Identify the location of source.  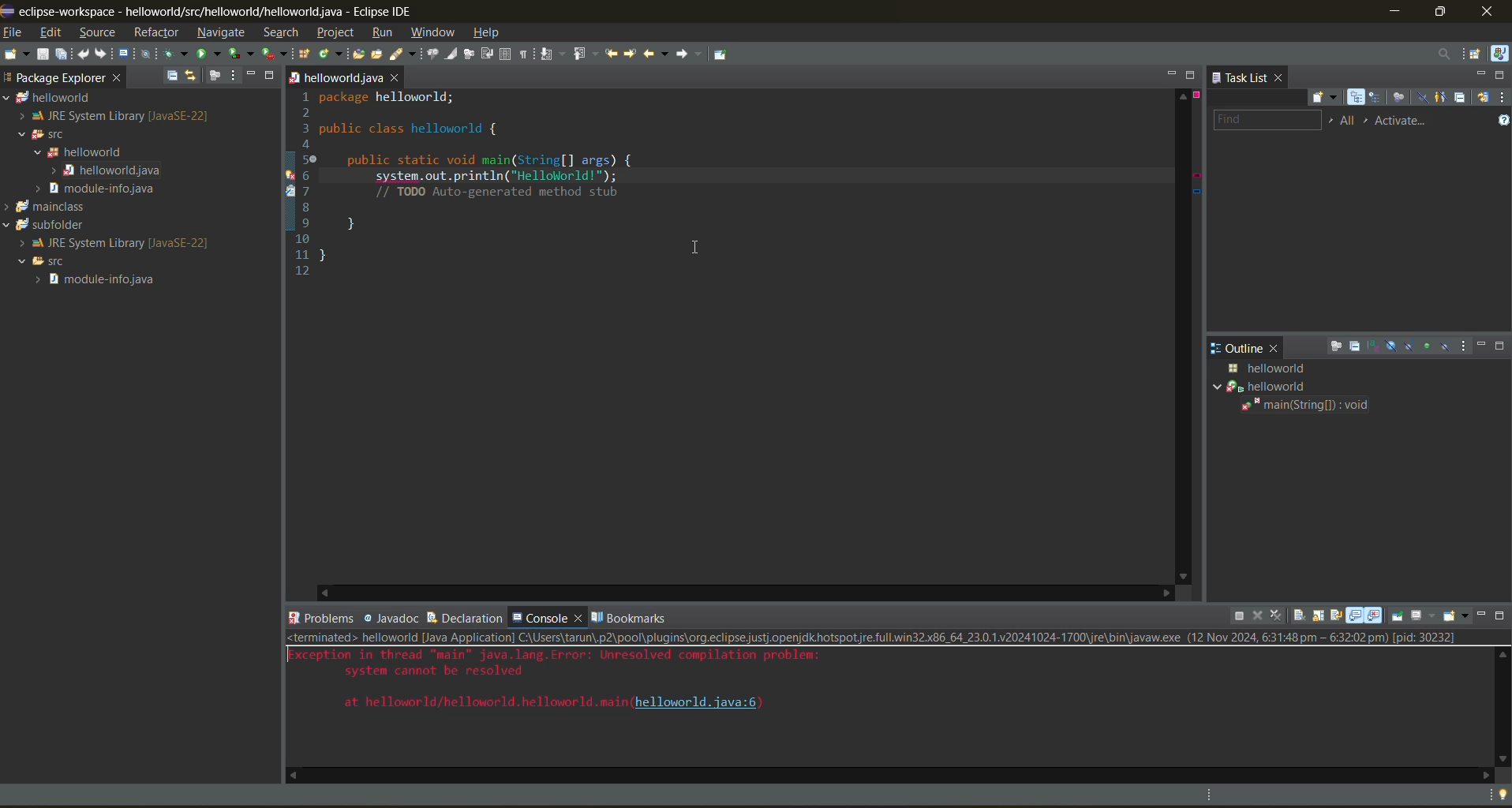
(99, 34).